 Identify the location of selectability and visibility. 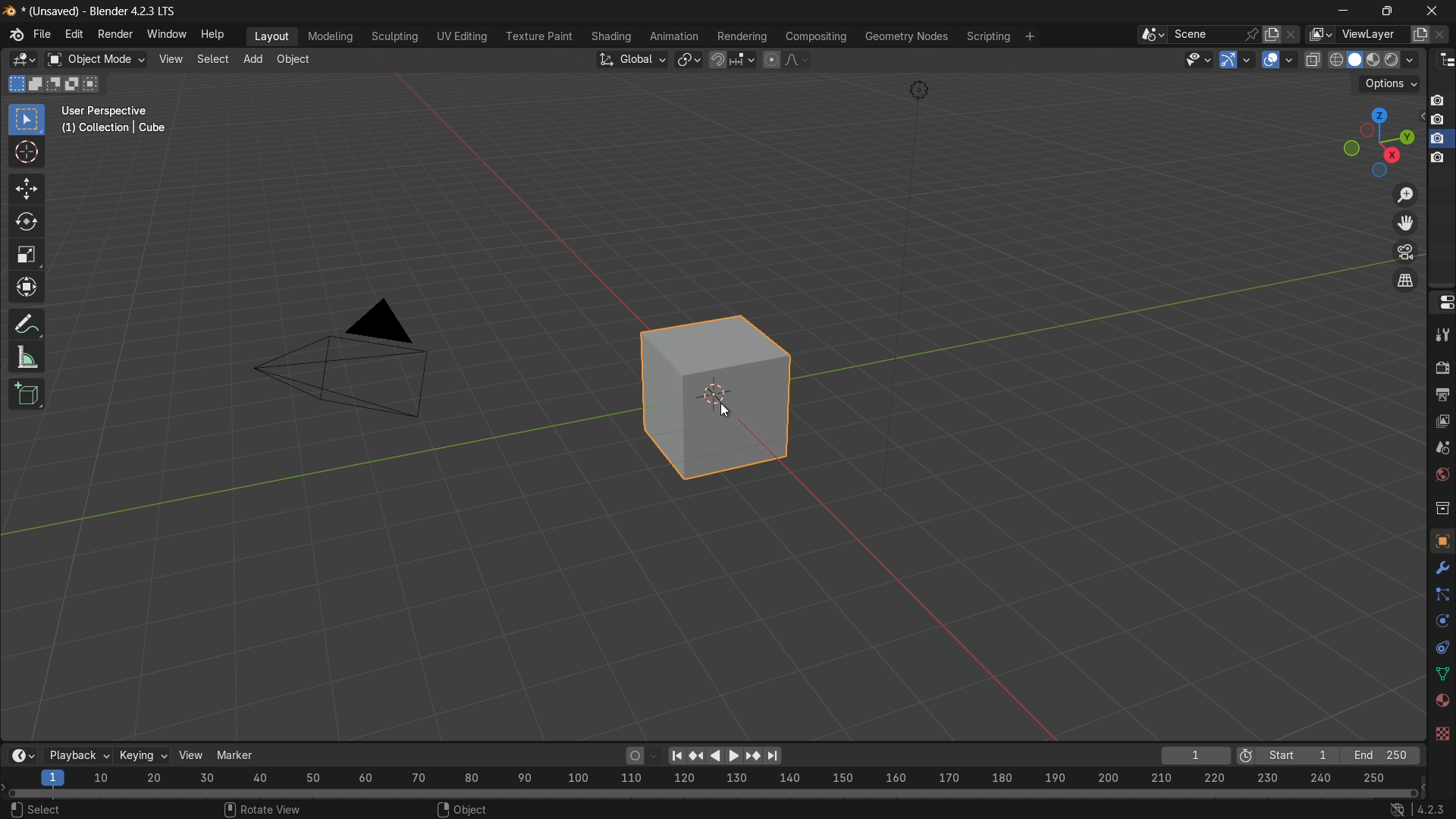
(1198, 60).